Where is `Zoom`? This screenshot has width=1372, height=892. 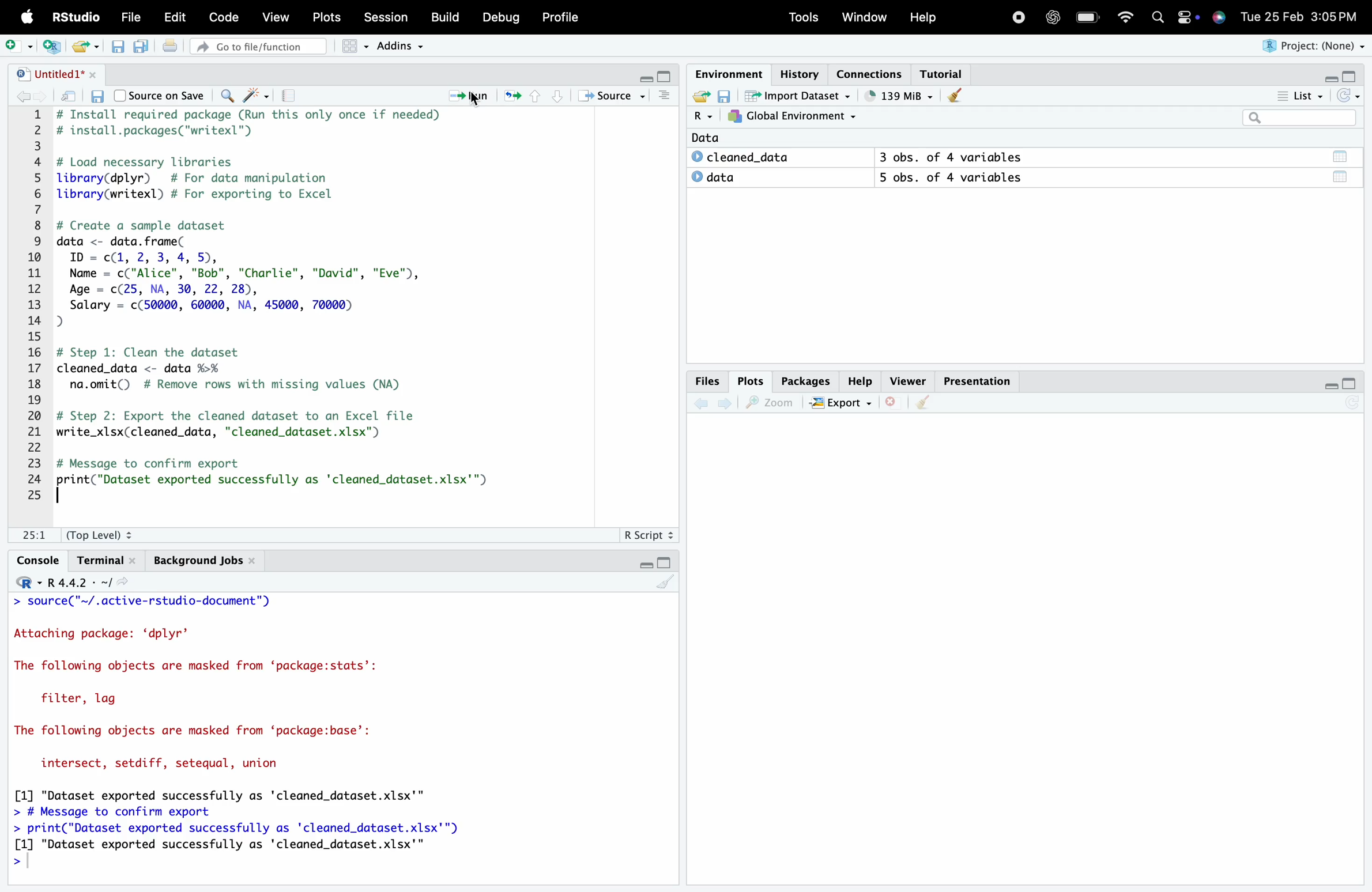
Zoom is located at coordinates (774, 403).